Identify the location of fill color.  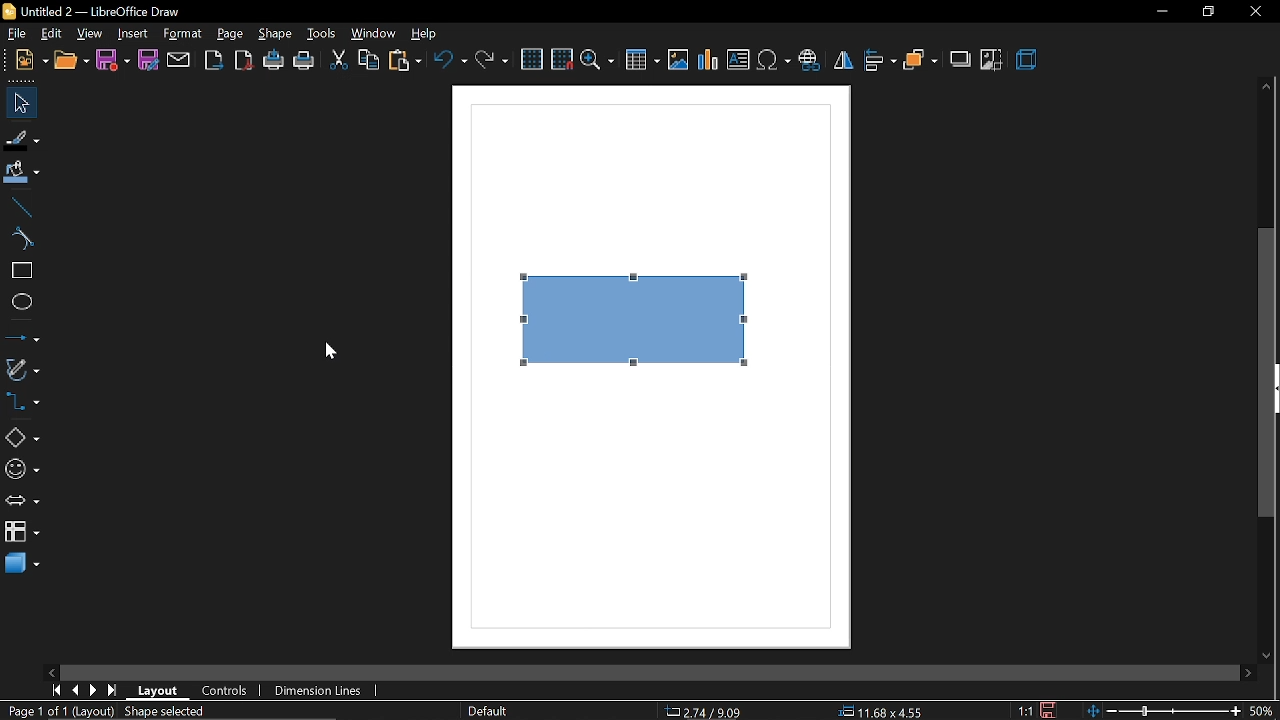
(22, 174).